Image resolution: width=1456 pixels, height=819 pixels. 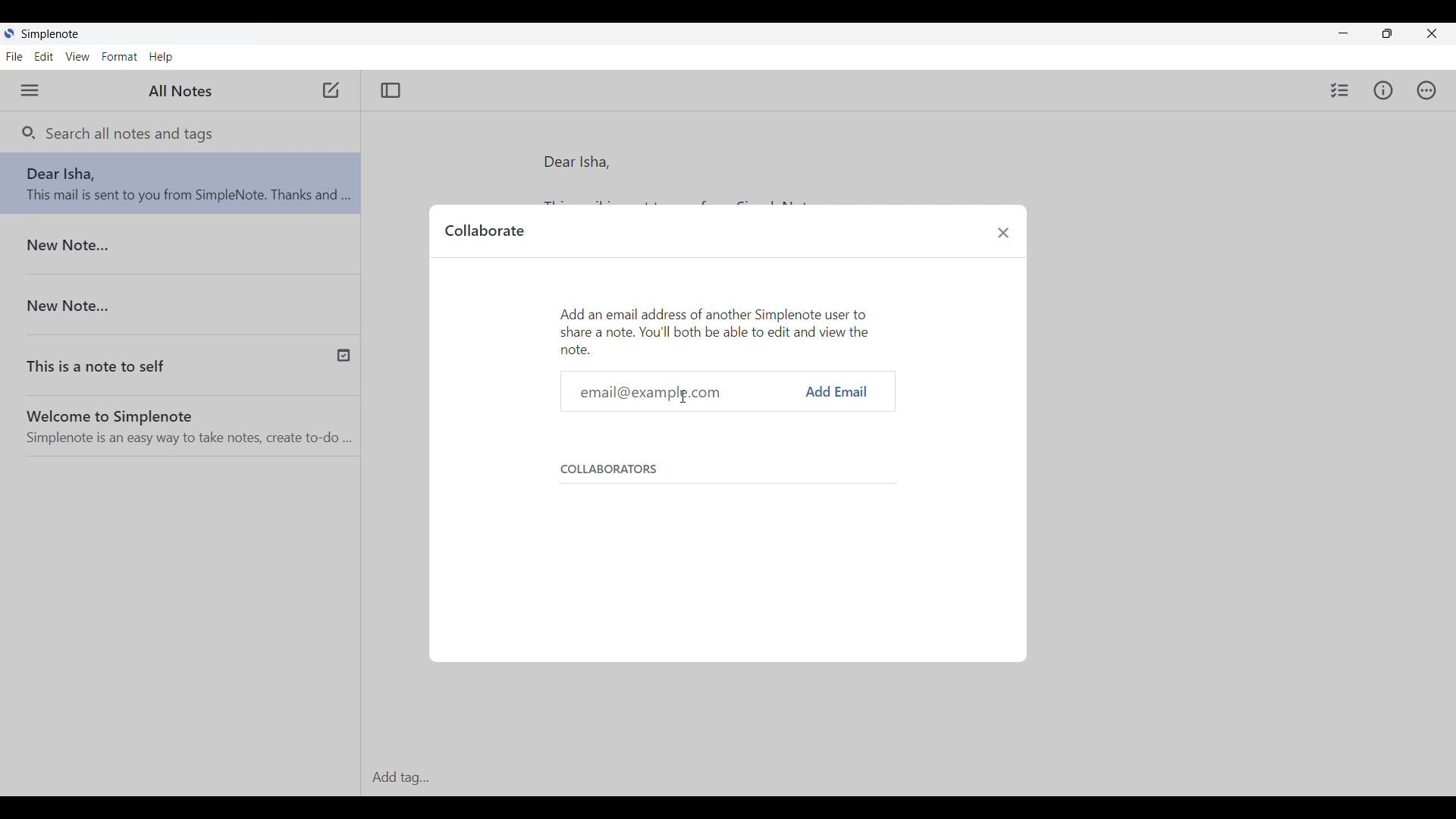 I want to click on Maximize, so click(x=1387, y=33).